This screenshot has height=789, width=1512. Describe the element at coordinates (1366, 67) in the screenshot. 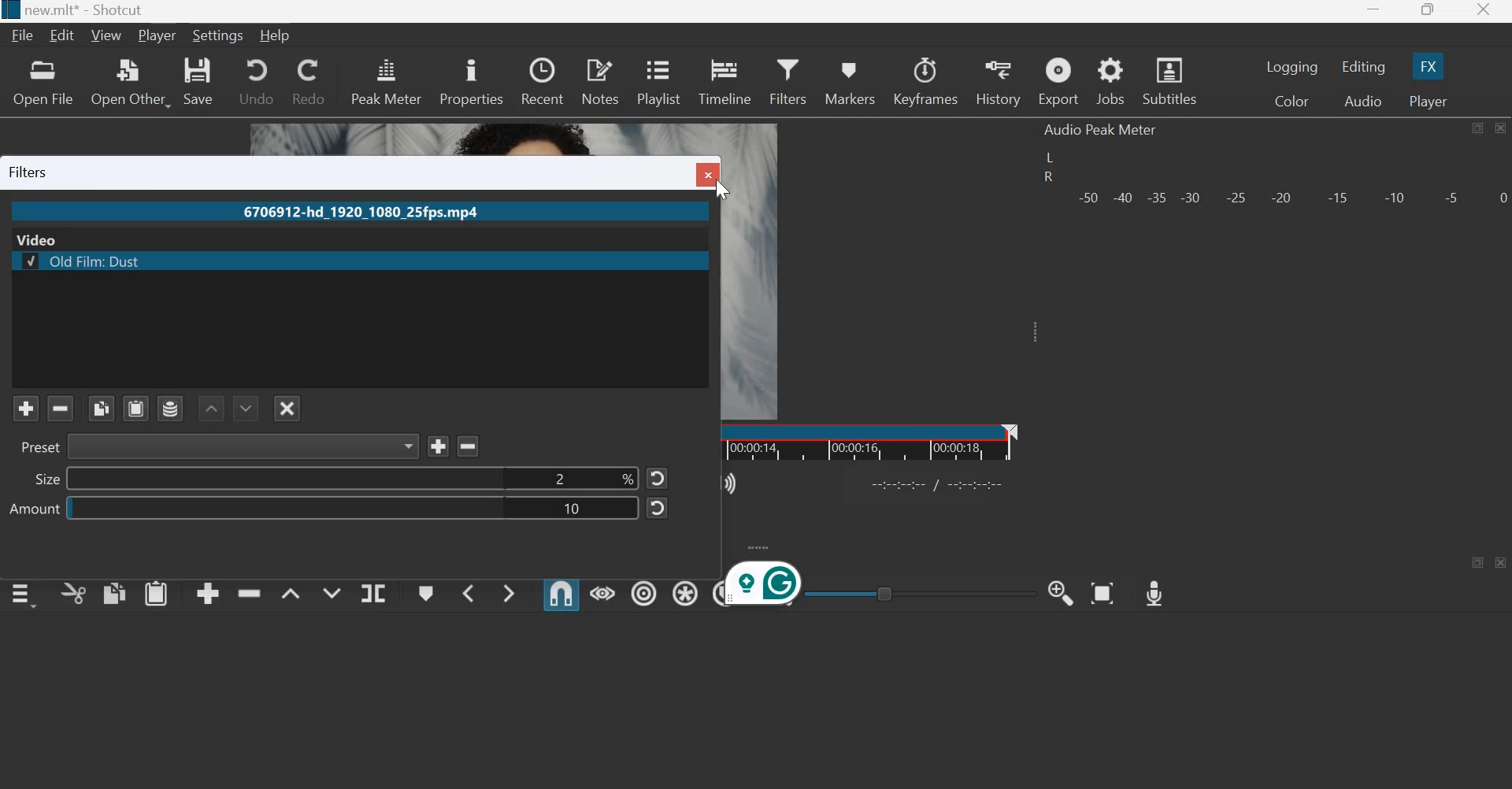

I see `Editing` at that location.